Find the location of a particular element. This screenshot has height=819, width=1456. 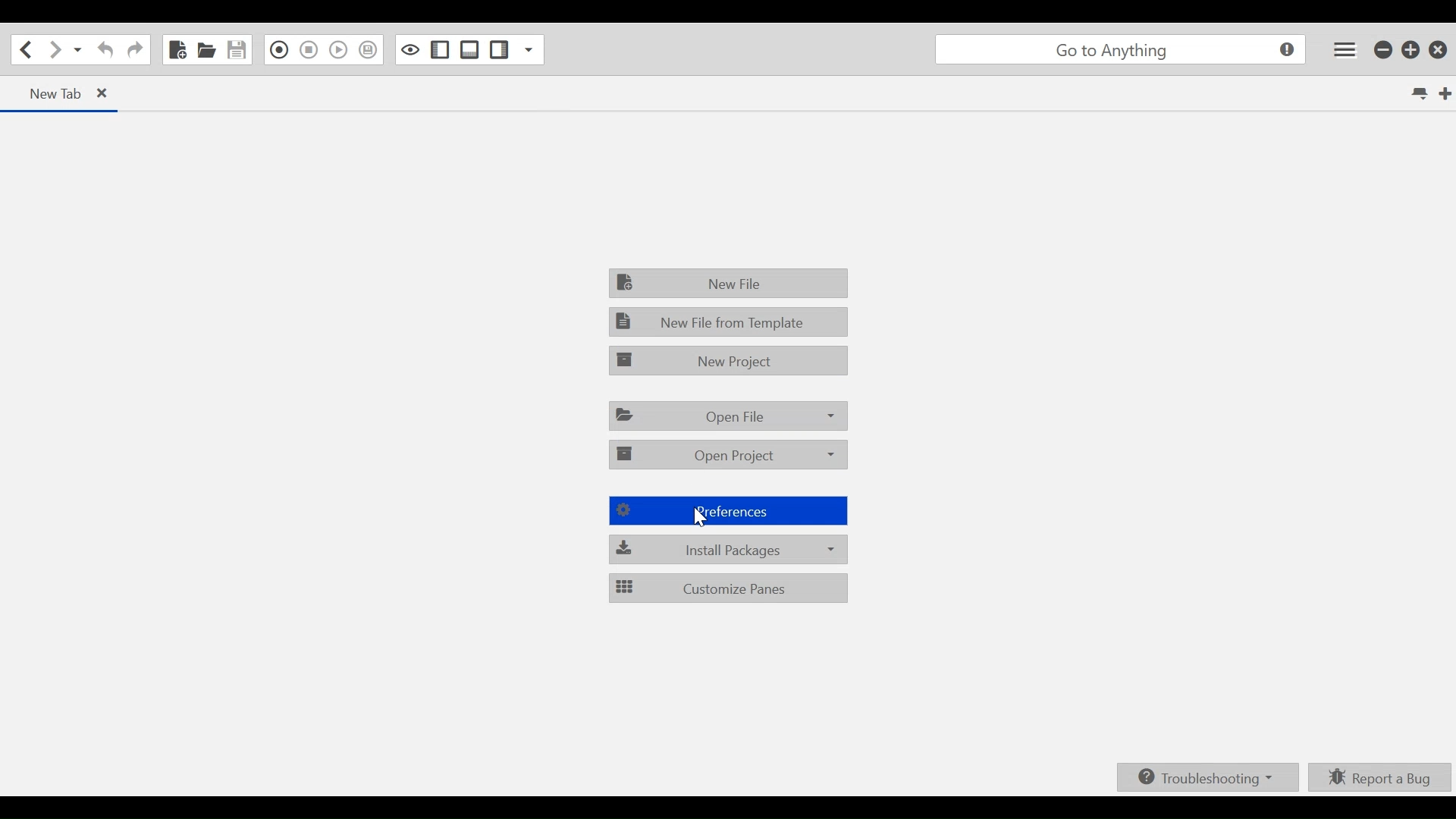

Troubleshooting is located at coordinates (1209, 776).